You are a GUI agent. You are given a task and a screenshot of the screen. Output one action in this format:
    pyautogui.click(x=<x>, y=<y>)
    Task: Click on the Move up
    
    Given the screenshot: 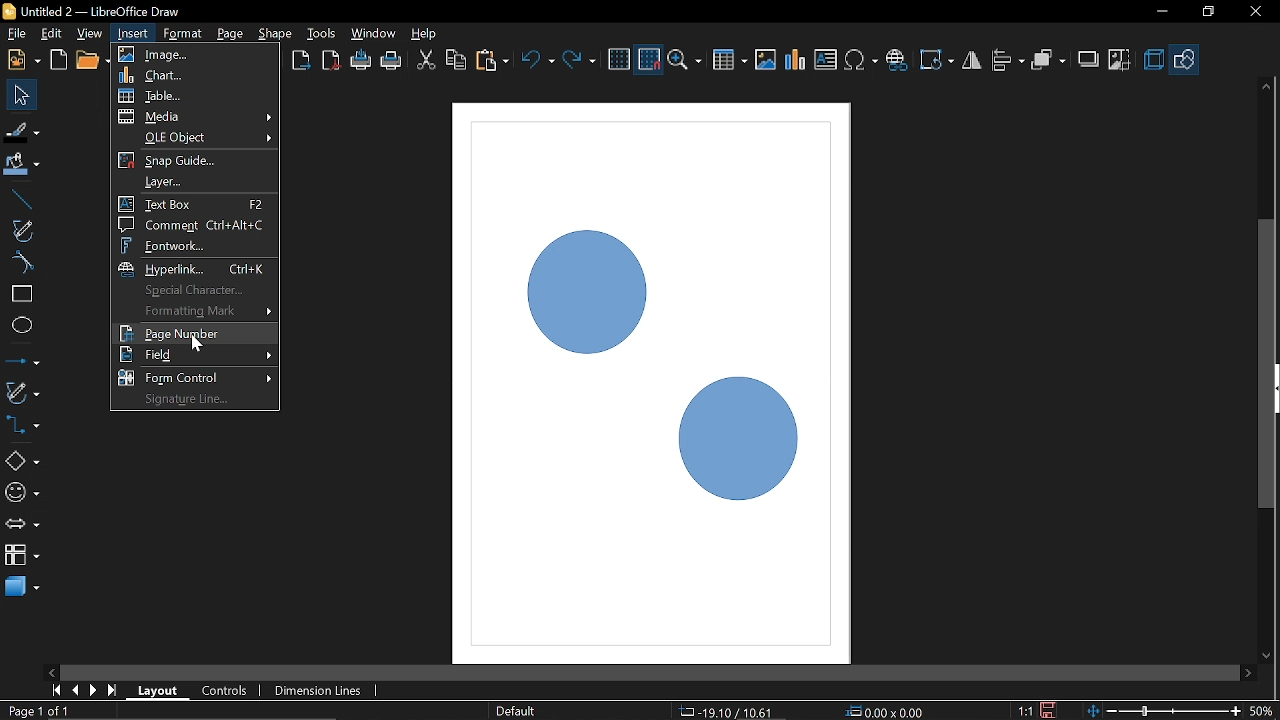 What is the action you would take?
    pyautogui.click(x=1266, y=86)
    